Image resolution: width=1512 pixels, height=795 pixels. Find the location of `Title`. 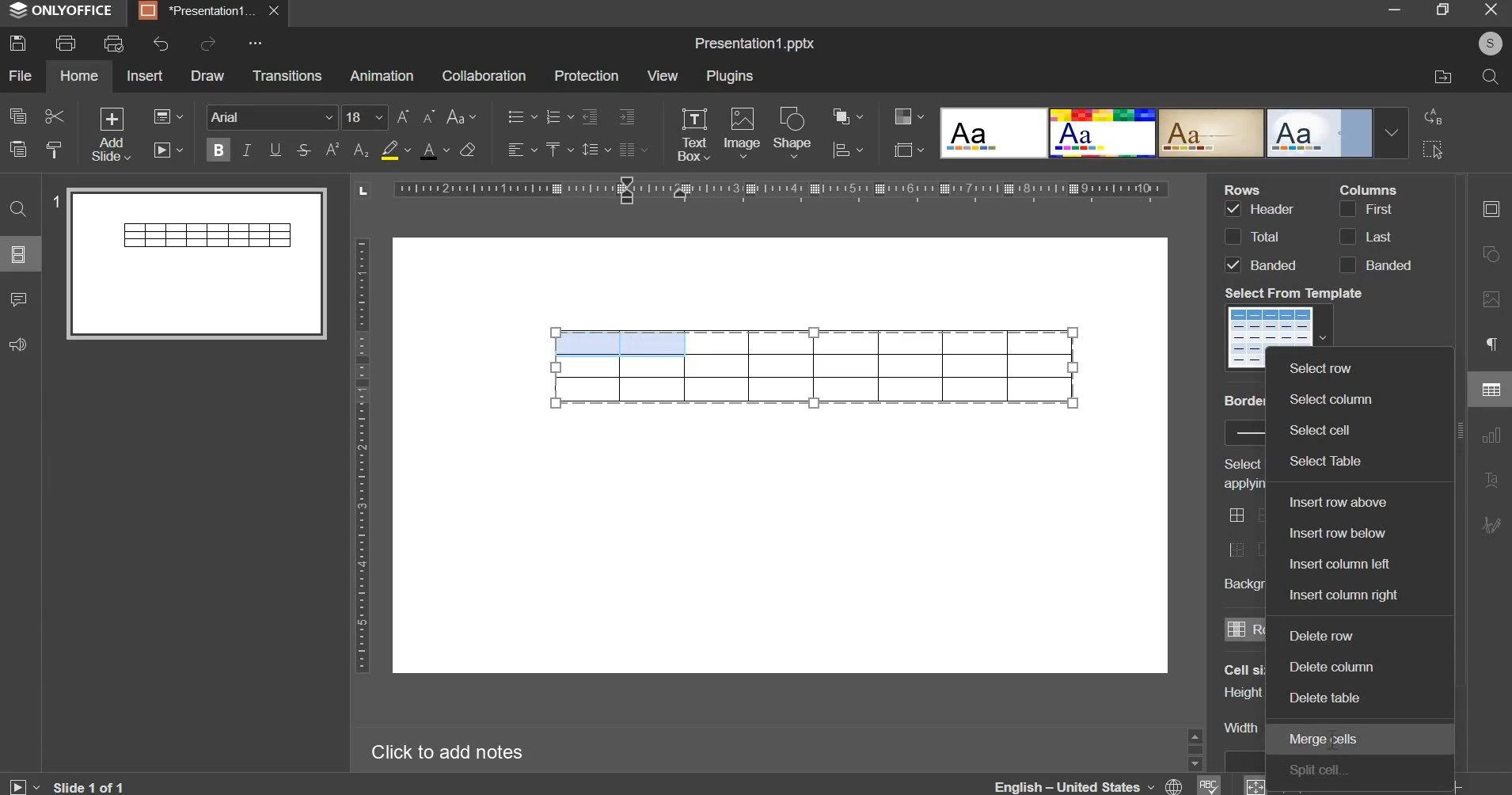

Title is located at coordinates (754, 44).